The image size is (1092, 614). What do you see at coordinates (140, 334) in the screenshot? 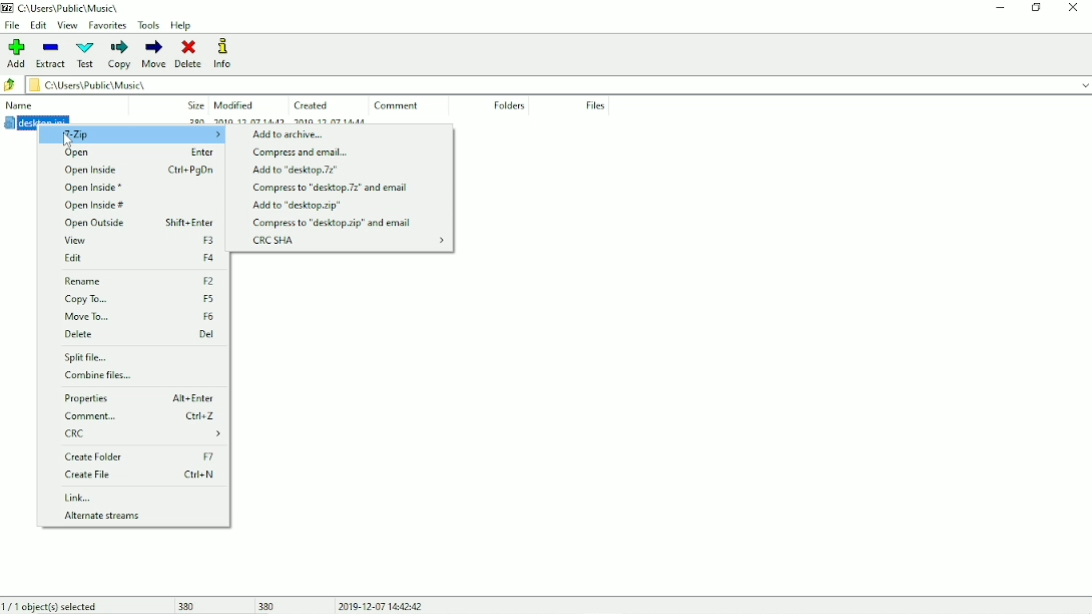
I see `Delete` at bounding box center [140, 334].